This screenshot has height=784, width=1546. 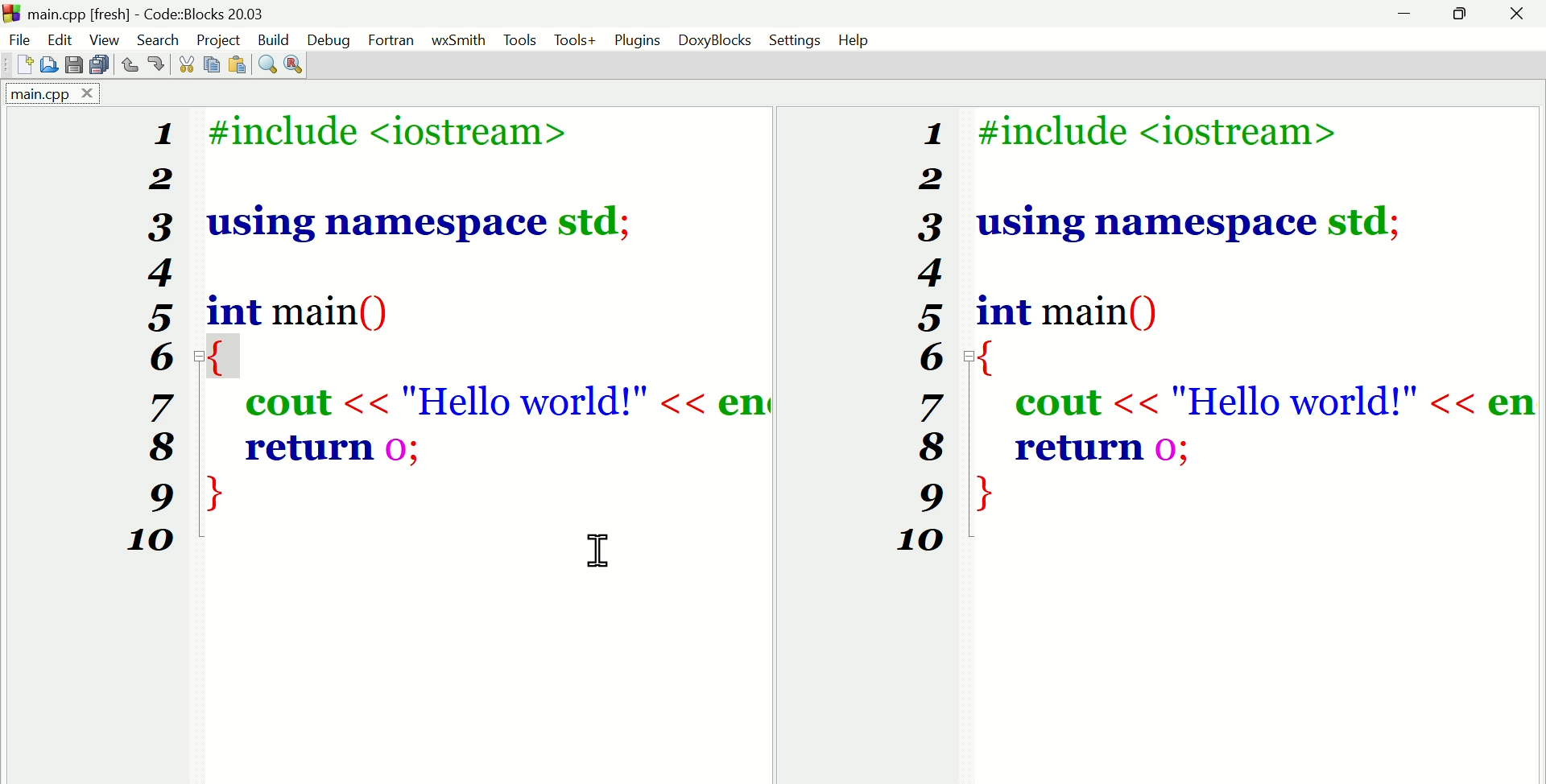 What do you see at coordinates (1255, 316) in the screenshot?
I see `#include <iostream>
using namespace std;
int main()
cout << "Hello world!" << en
return o;
}` at bounding box center [1255, 316].